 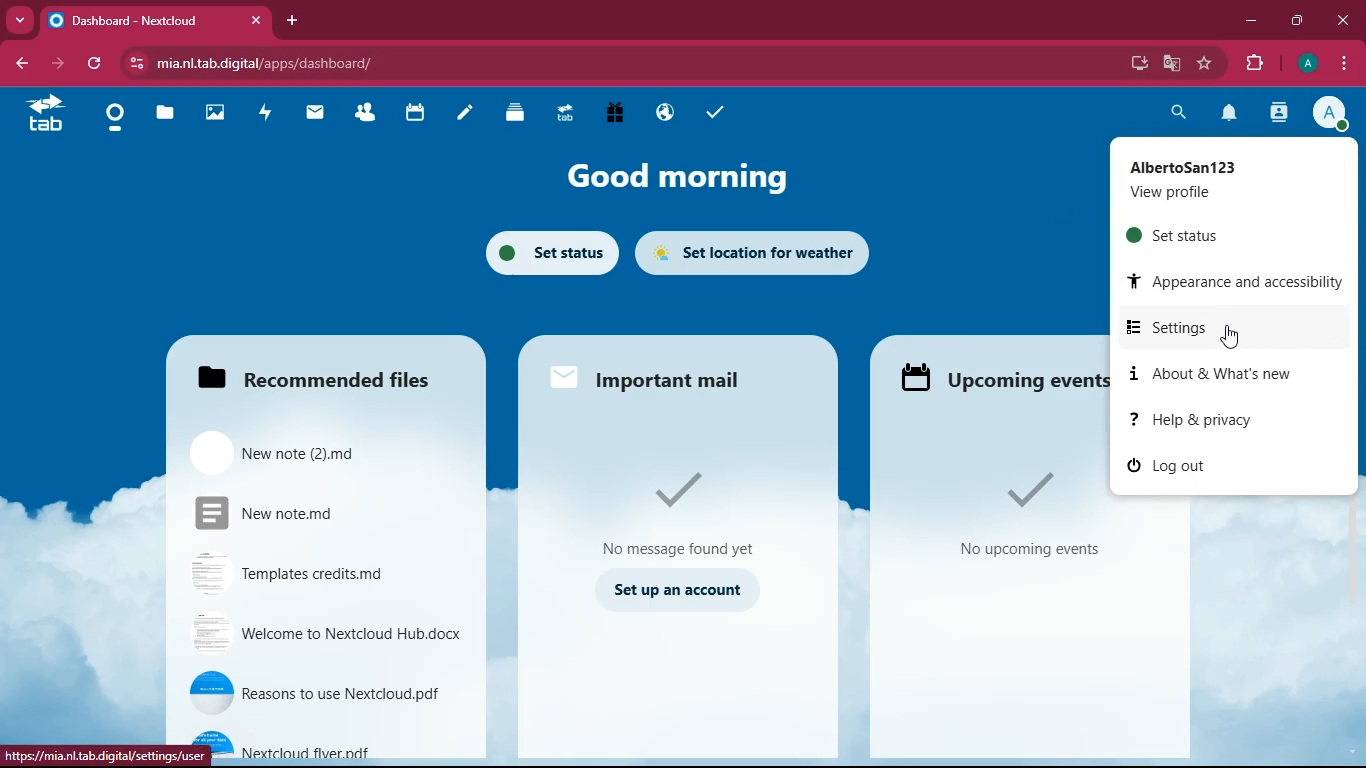 I want to click on notification, so click(x=1230, y=114).